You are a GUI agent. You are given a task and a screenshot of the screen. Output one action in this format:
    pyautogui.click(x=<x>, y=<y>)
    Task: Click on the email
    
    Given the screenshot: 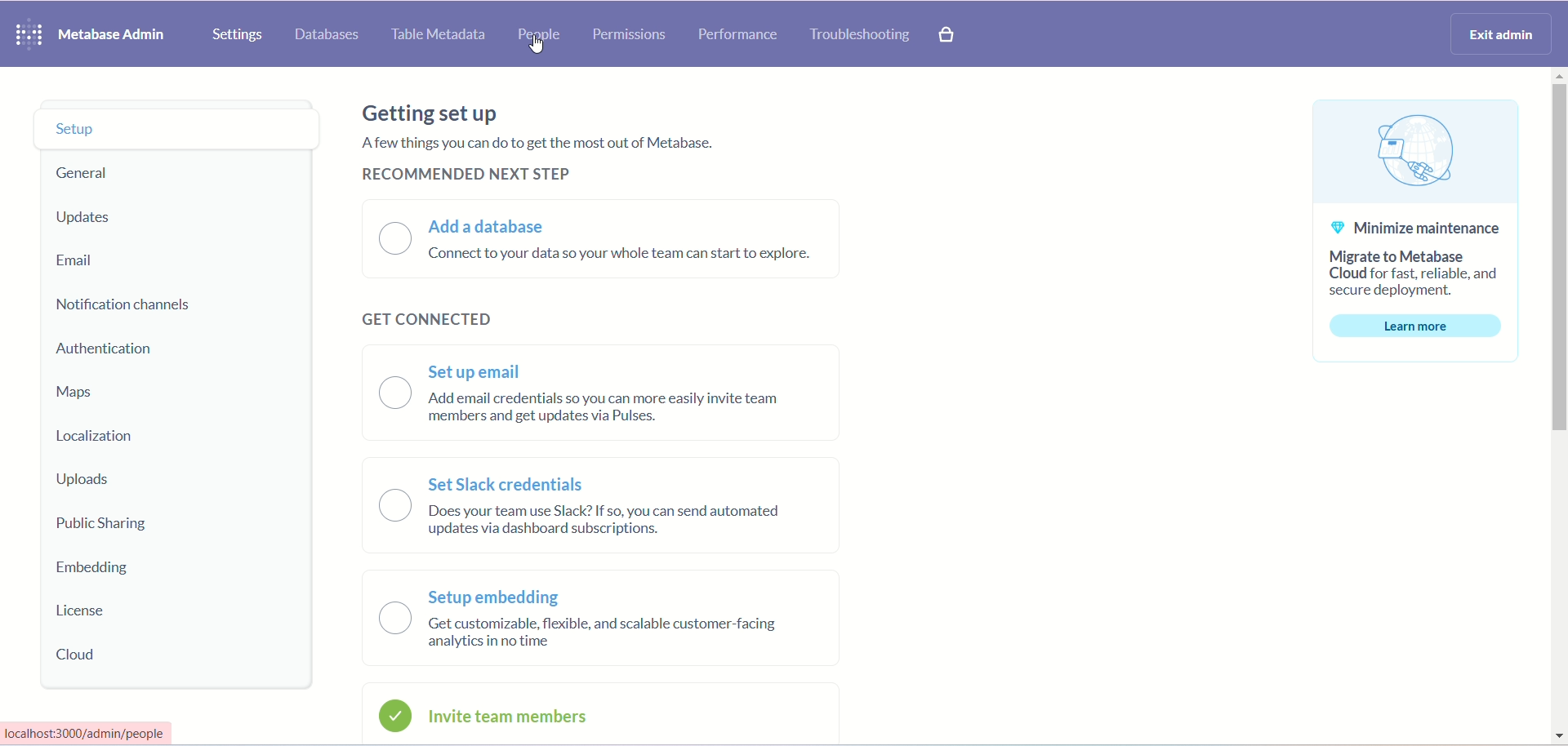 What is the action you would take?
    pyautogui.click(x=82, y=261)
    